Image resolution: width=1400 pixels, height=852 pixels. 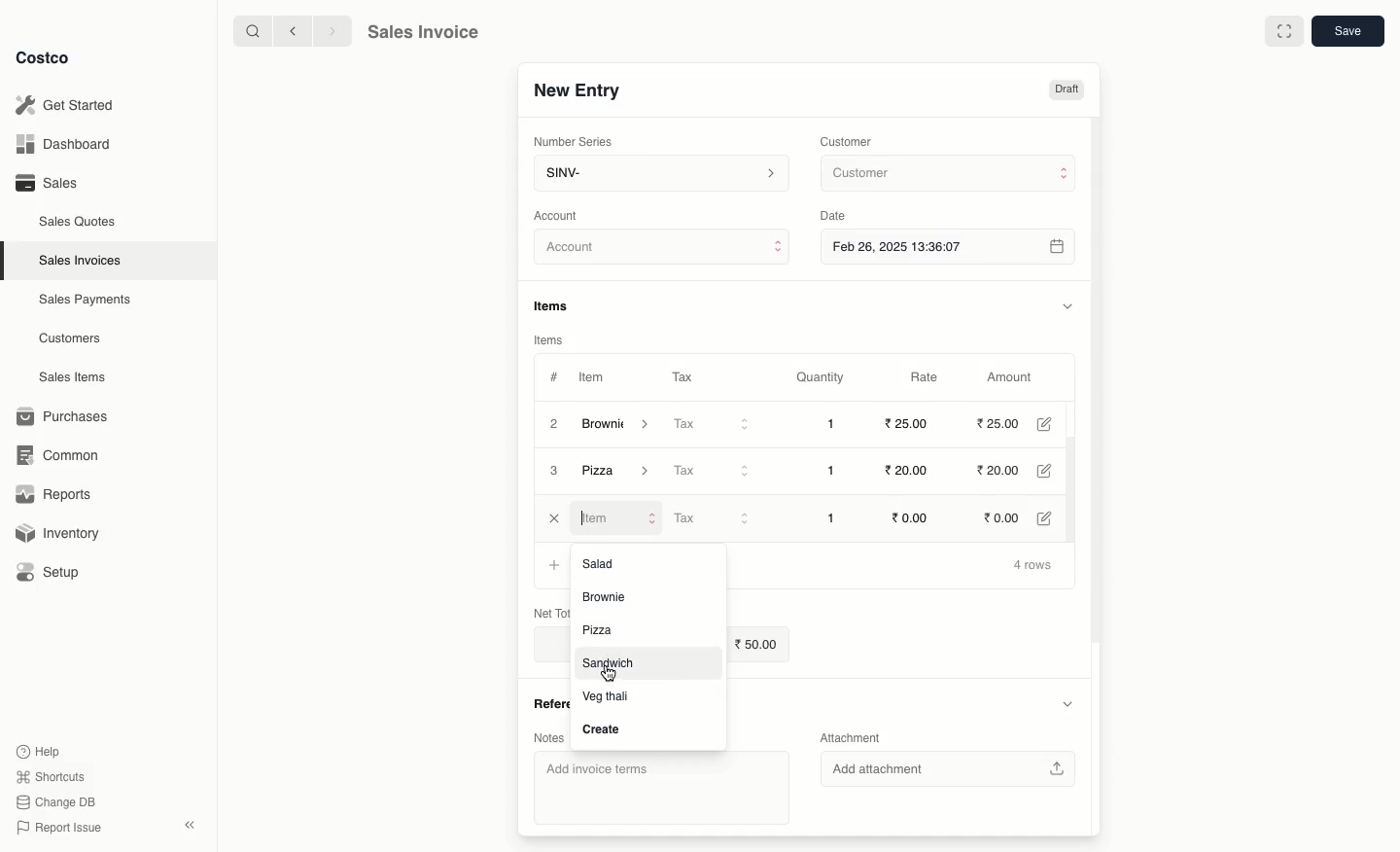 What do you see at coordinates (950, 246) in the screenshot?
I see `Feb 26, 2025 13:36:07` at bounding box center [950, 246].